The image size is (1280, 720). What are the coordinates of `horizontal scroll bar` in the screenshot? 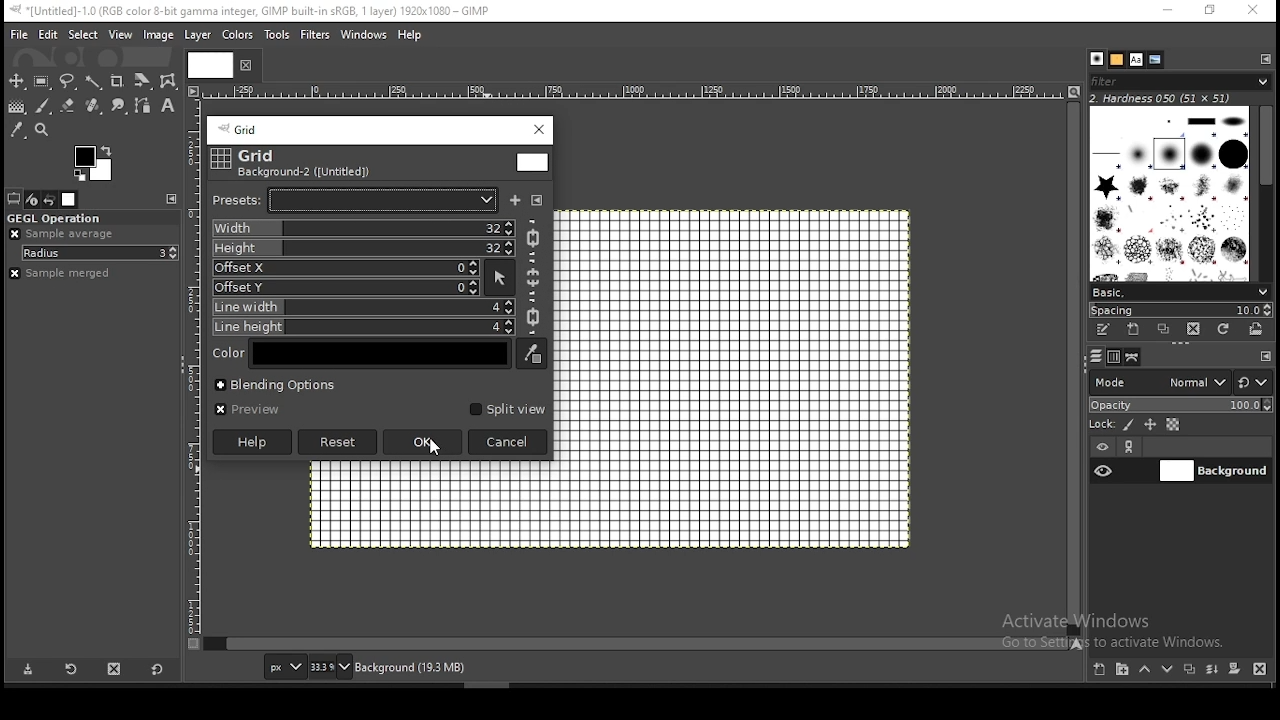 It's located at (1075, 367).